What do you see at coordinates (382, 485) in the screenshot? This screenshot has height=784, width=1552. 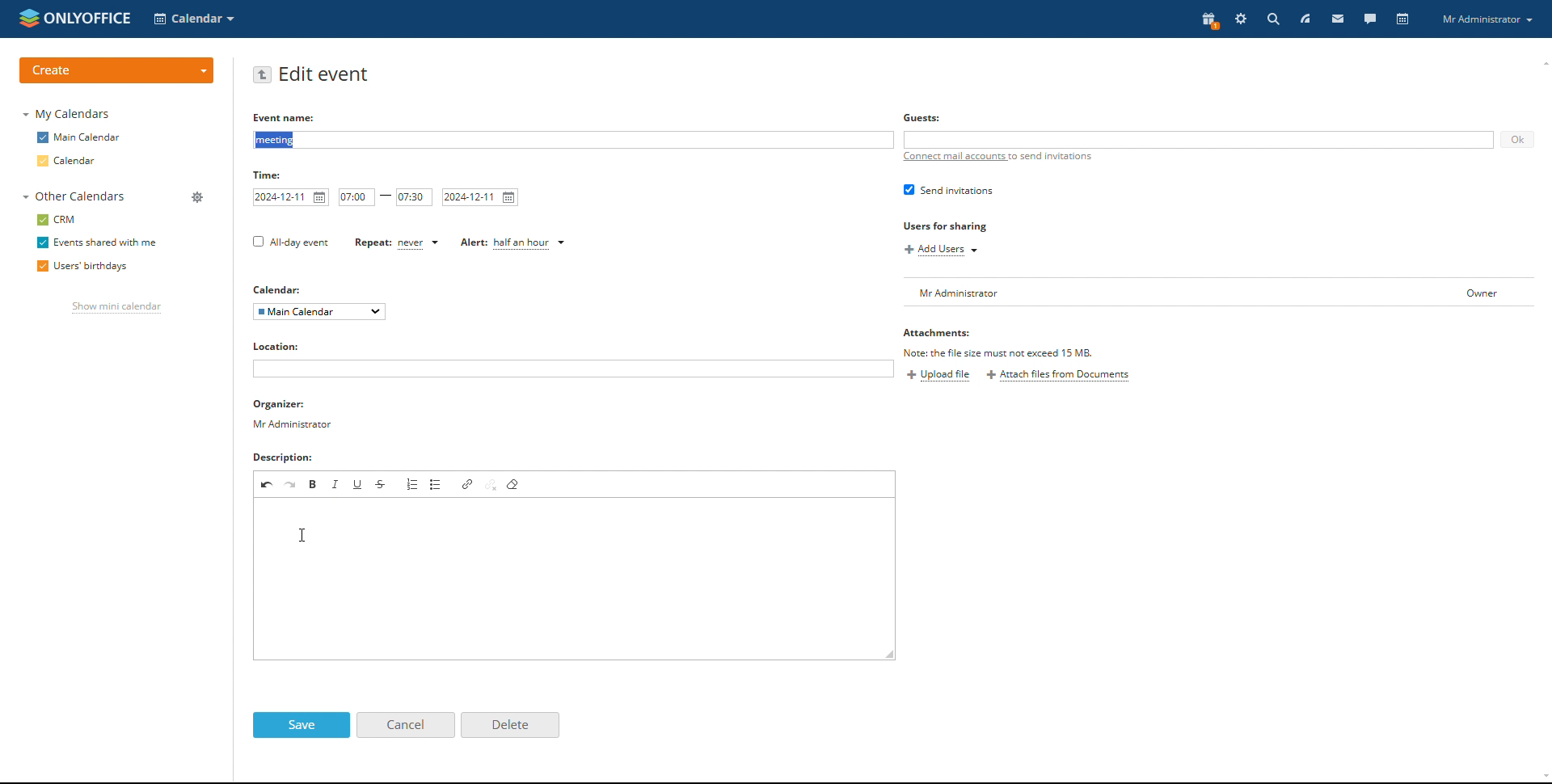 I see `strikethrough` at bounding box center [382, 485].